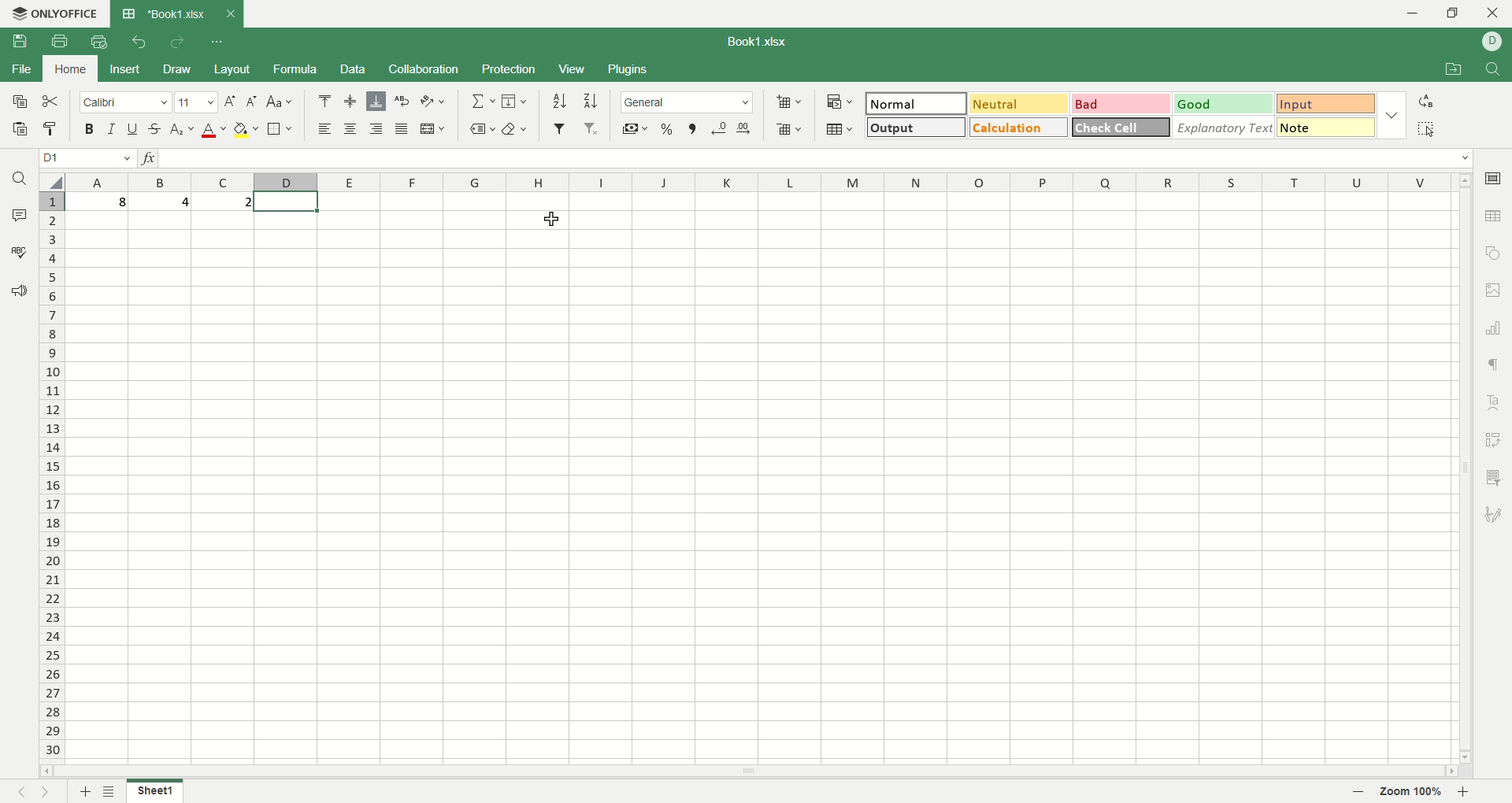 Image resolution: width=1512 pixels, height=803 pixels. Describe the element at coordinates (60, 42) in the screenshot. I see `print` at that location.